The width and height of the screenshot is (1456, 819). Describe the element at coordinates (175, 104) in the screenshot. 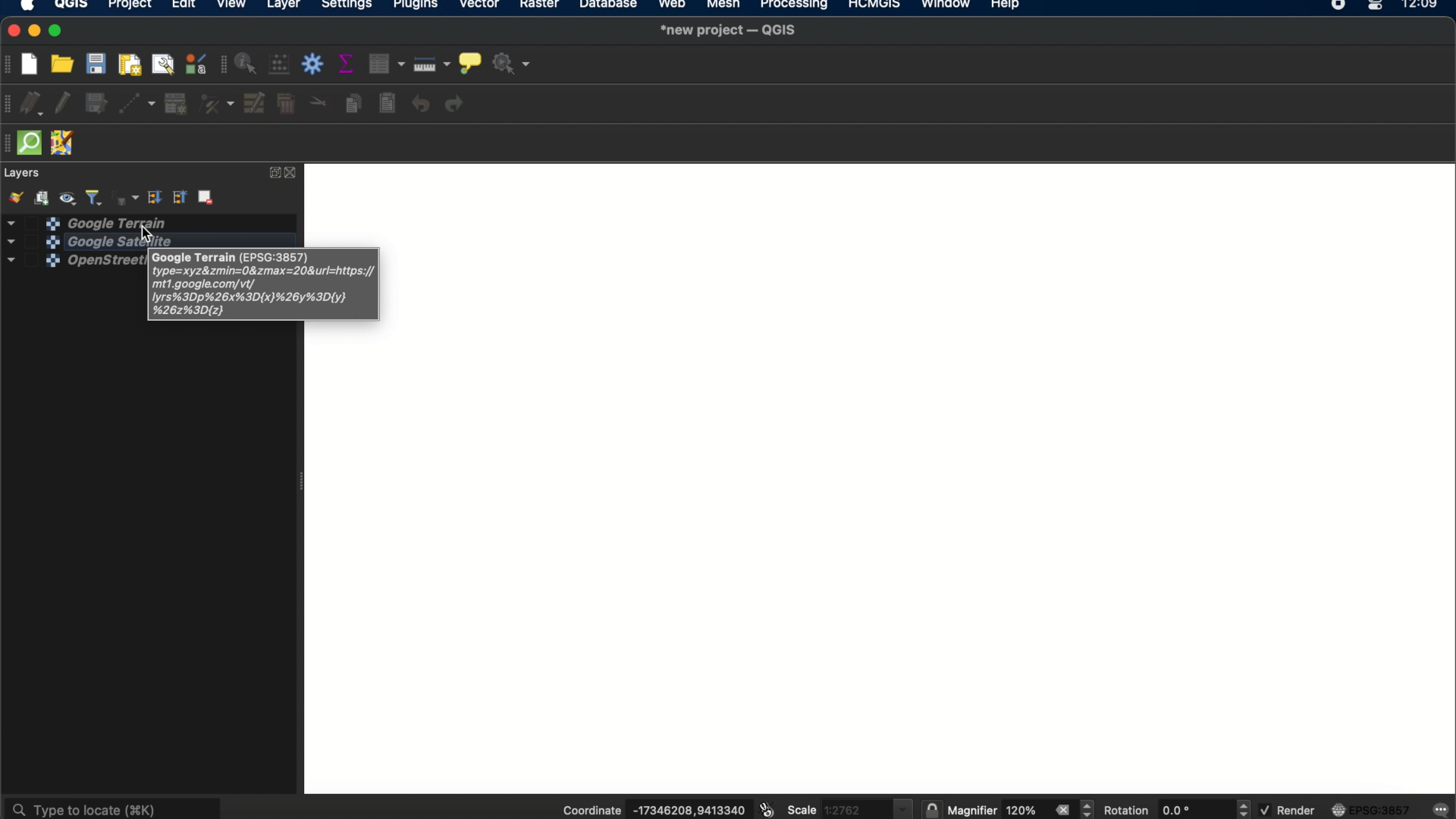

I see `add record` at that location.